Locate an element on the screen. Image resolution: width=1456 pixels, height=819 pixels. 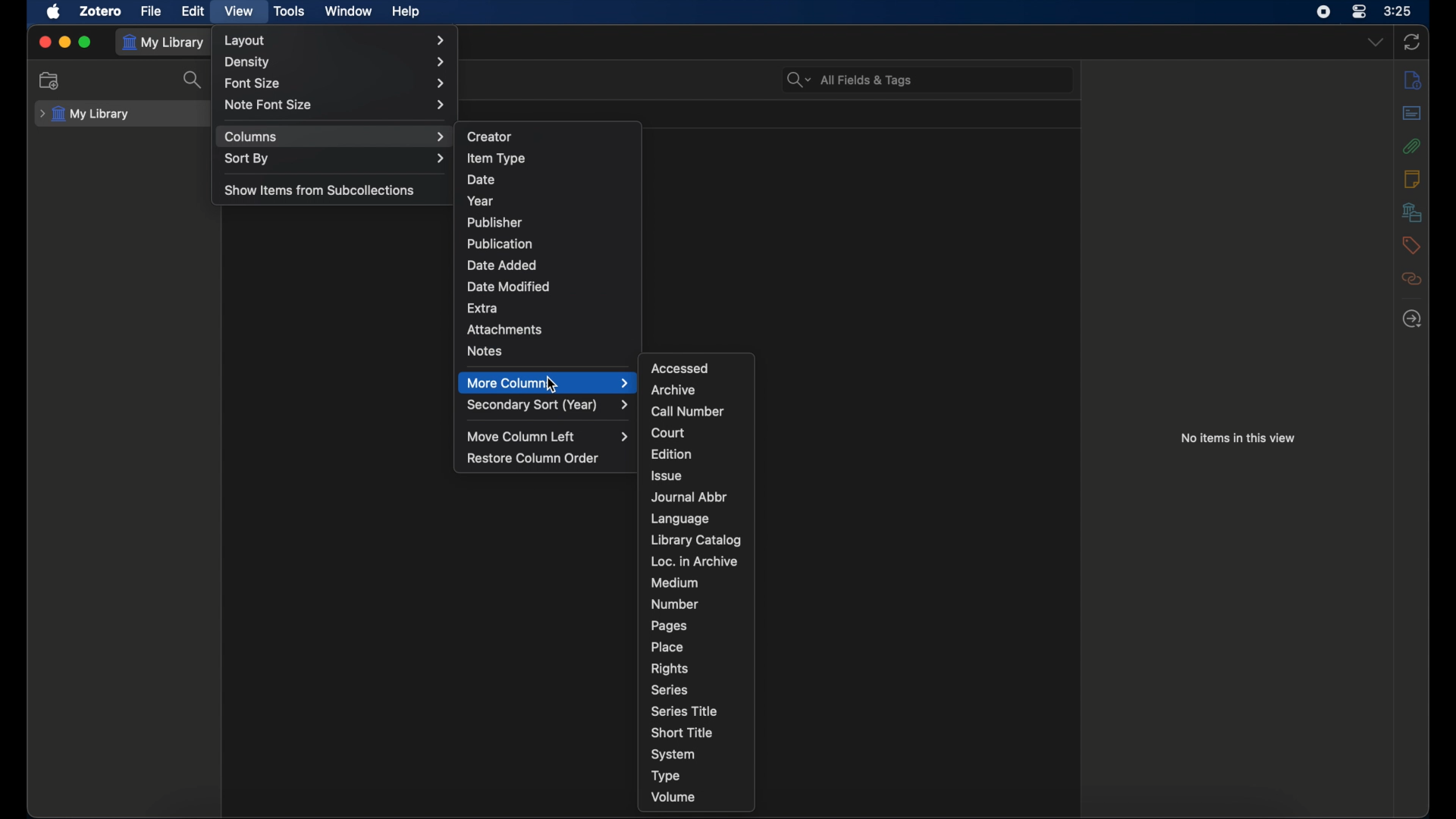
restore column order is located at coordinates (533, 459).